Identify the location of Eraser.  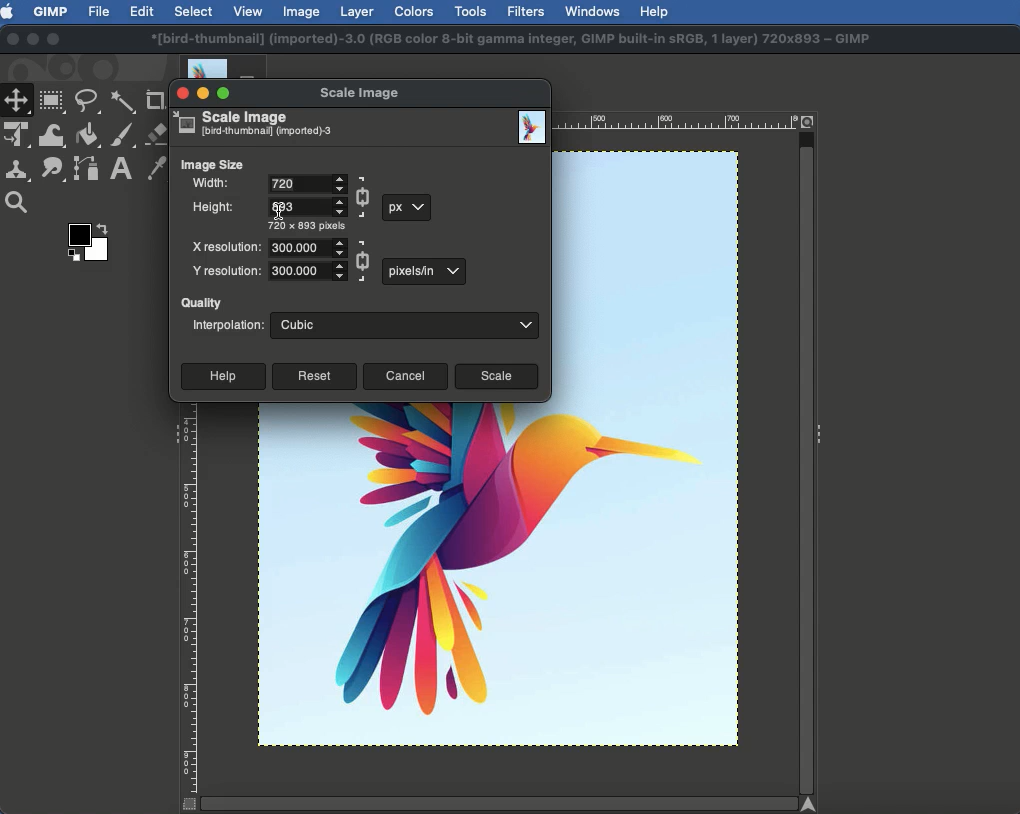
(156, 134).